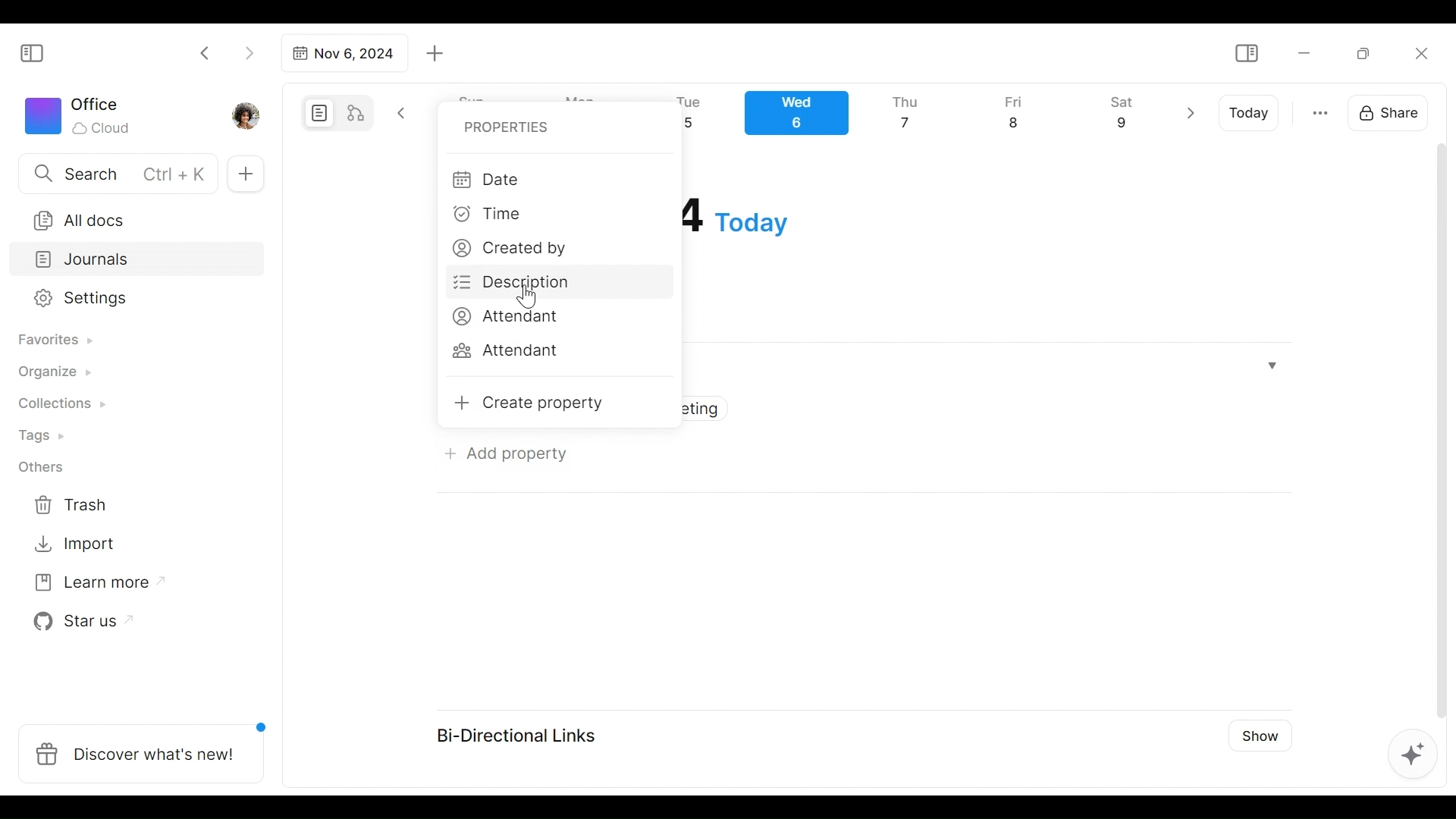 The height and width of the screenshot is (819, 1456). I want to click on Add new , so click(244, 174).